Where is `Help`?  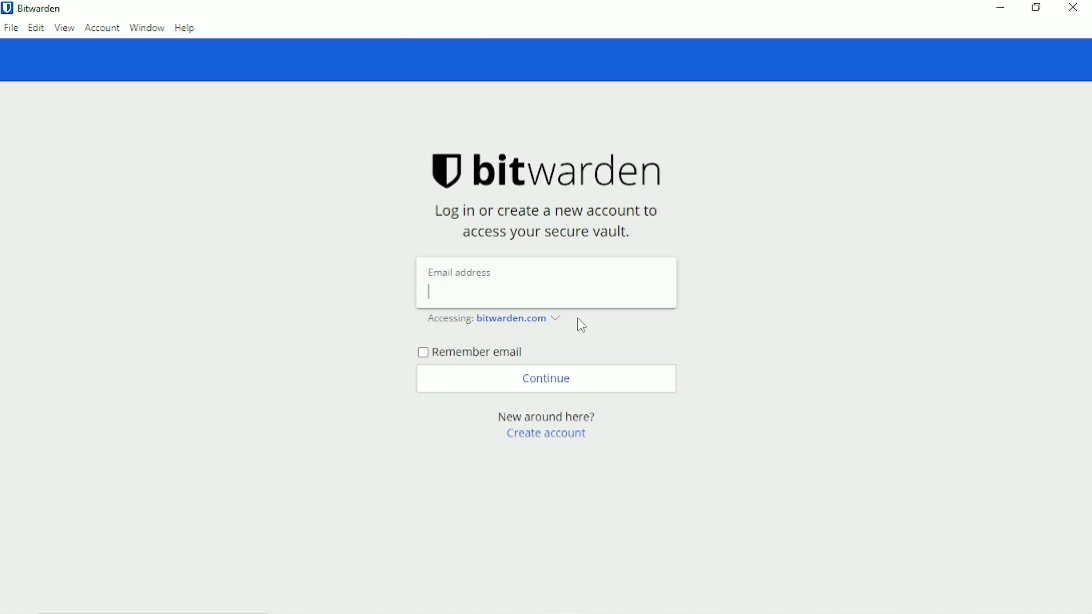
Help is located at coordinates (185, 28).